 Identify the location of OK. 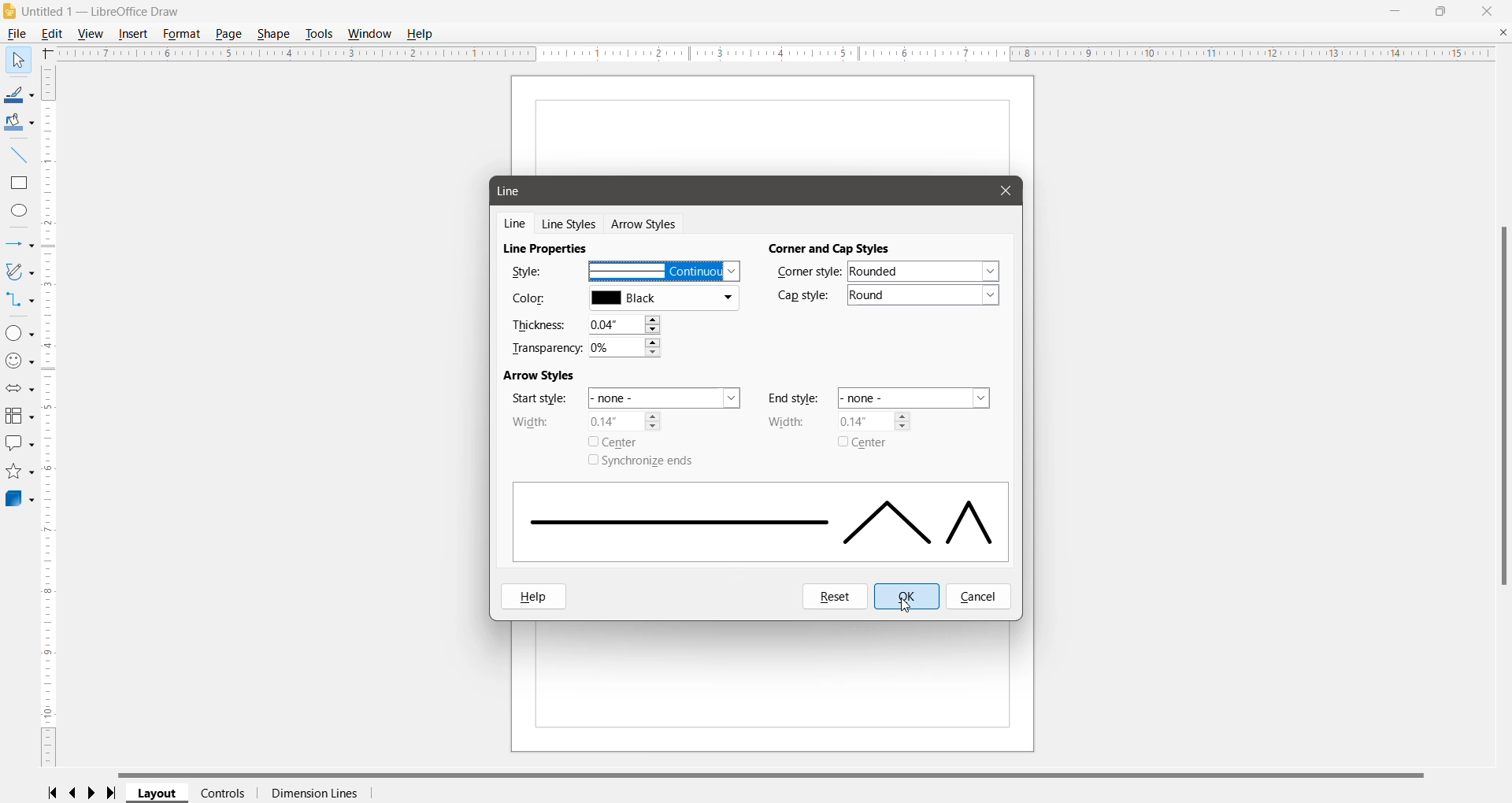
(906, 597).